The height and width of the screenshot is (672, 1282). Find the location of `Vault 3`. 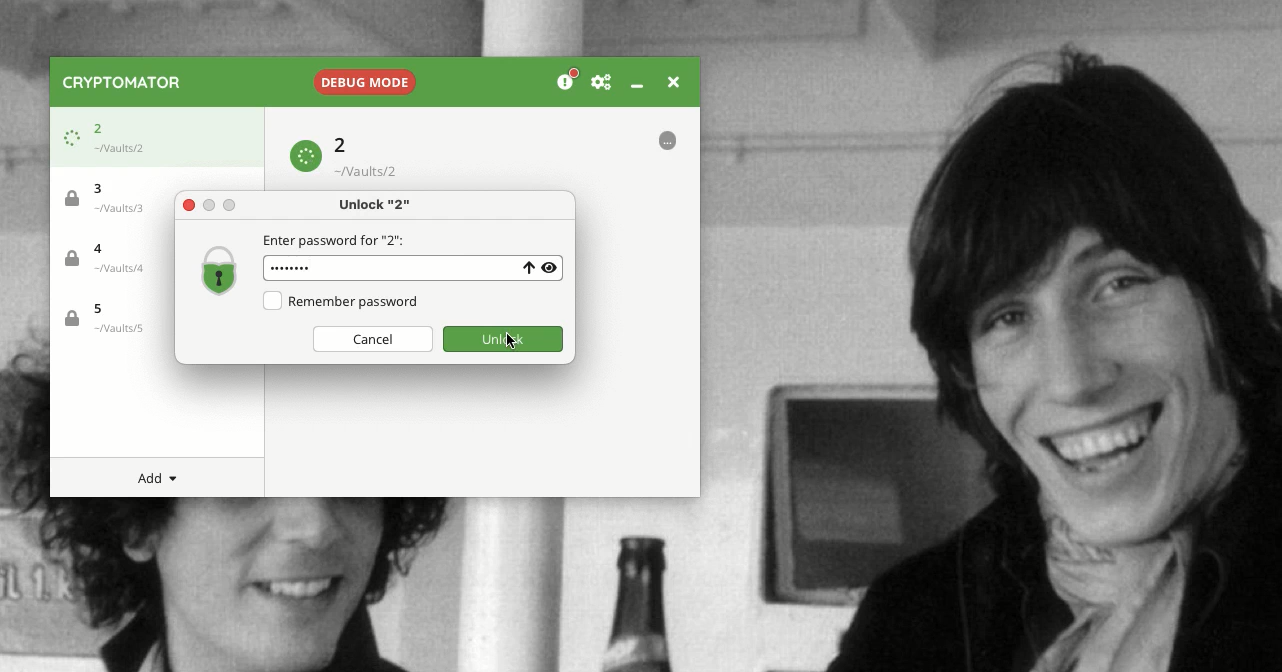

Vault 3 is located at coordinates (114, 196).